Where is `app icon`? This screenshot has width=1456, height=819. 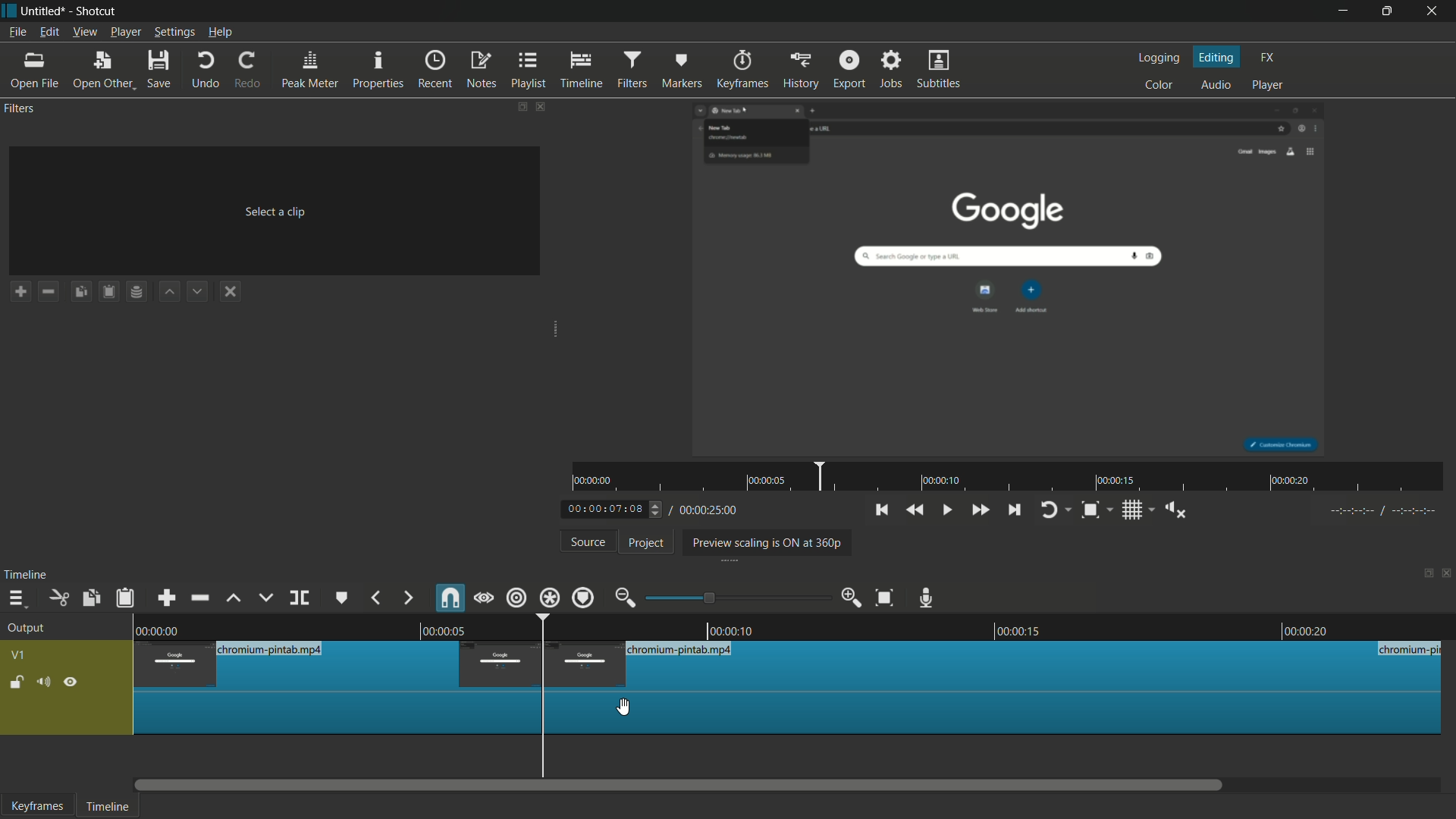 app icon is located at coordinates (9, 10).